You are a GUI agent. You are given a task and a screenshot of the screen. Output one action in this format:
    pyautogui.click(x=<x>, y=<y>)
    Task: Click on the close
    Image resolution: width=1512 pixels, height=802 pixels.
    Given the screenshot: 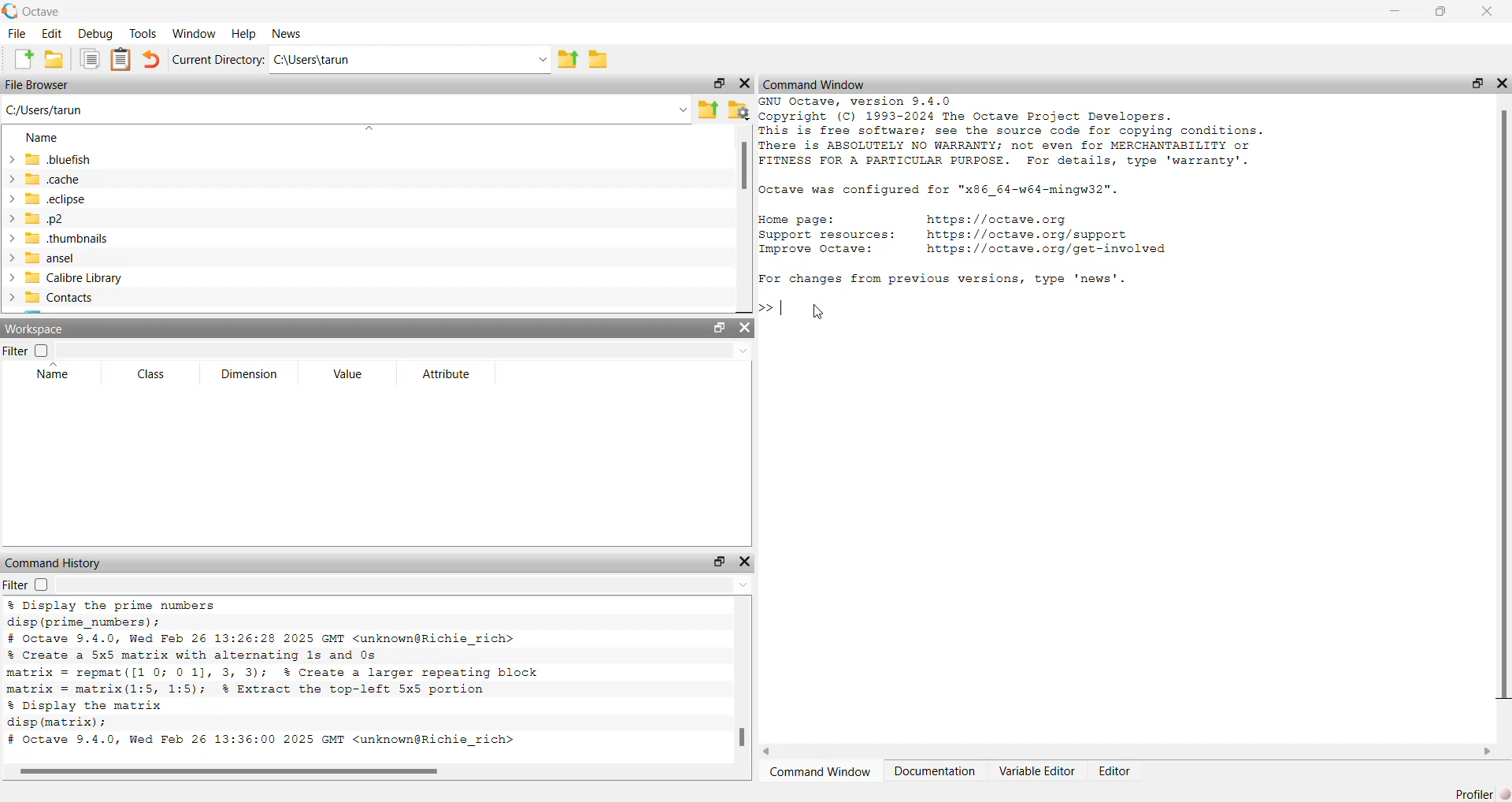 What is the action you would take?
    pyautogui.click(x=1492, y=11)
    